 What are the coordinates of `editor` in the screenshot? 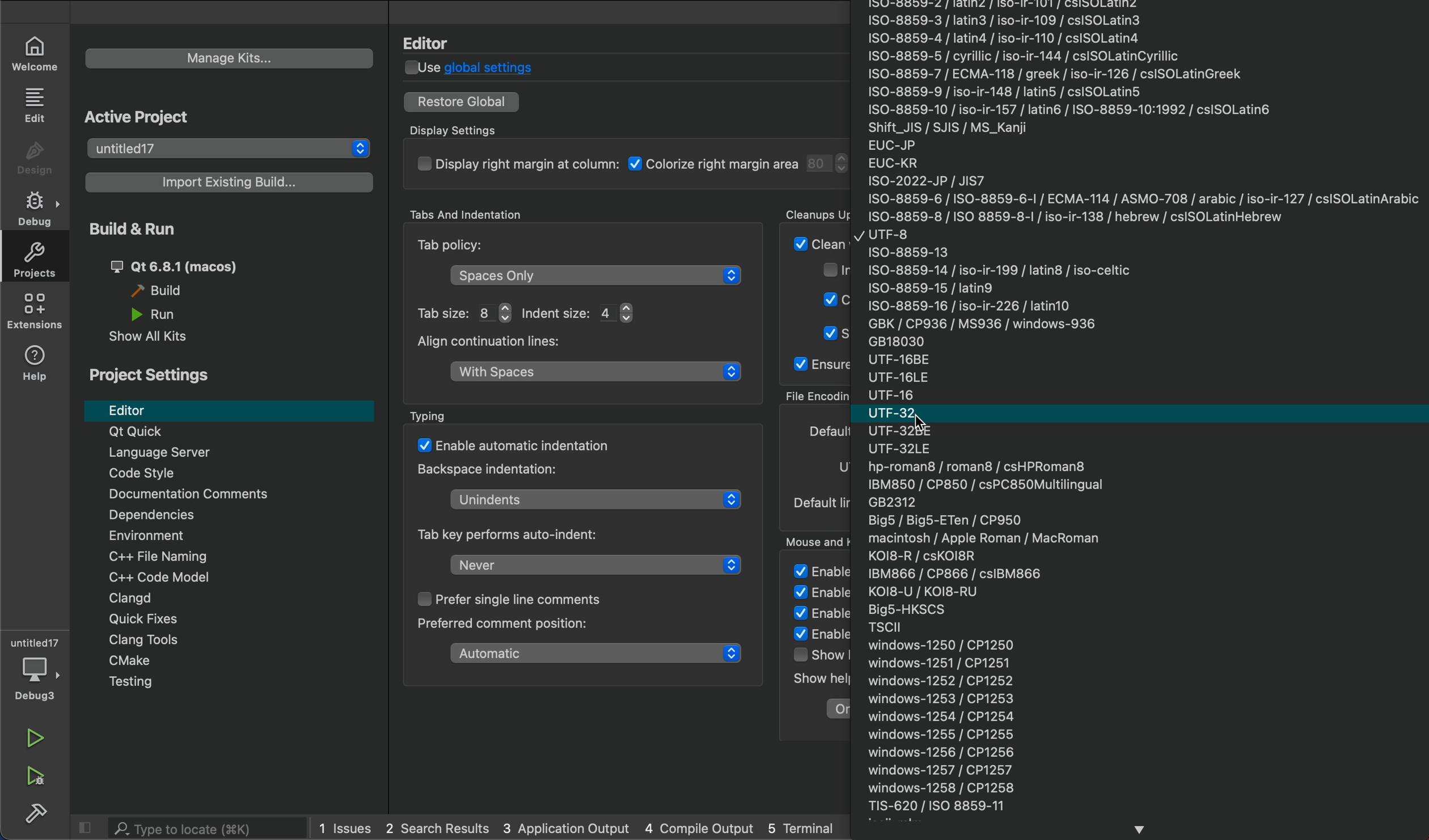 It's located at (231, 410).